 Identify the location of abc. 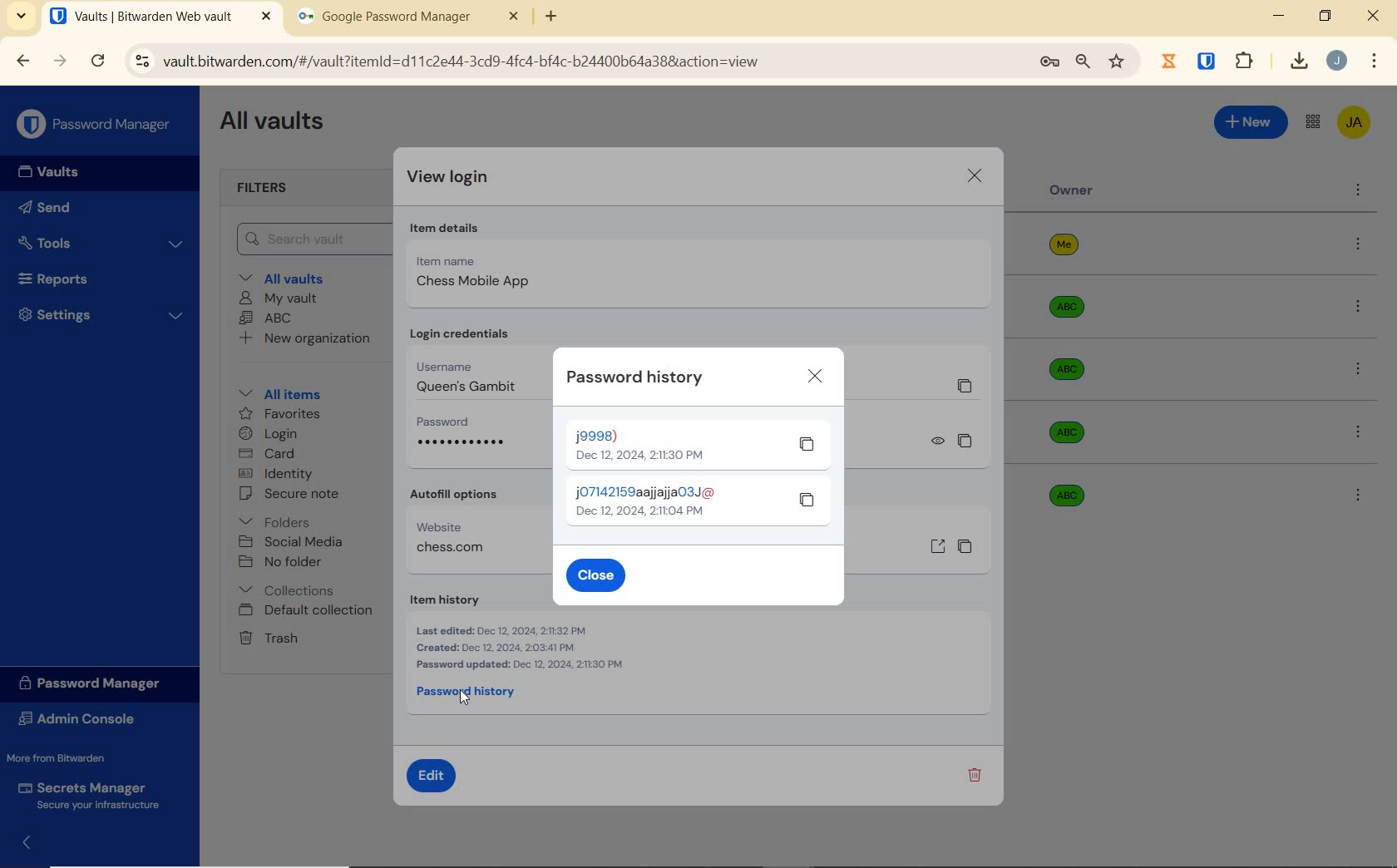
(1061, 488).